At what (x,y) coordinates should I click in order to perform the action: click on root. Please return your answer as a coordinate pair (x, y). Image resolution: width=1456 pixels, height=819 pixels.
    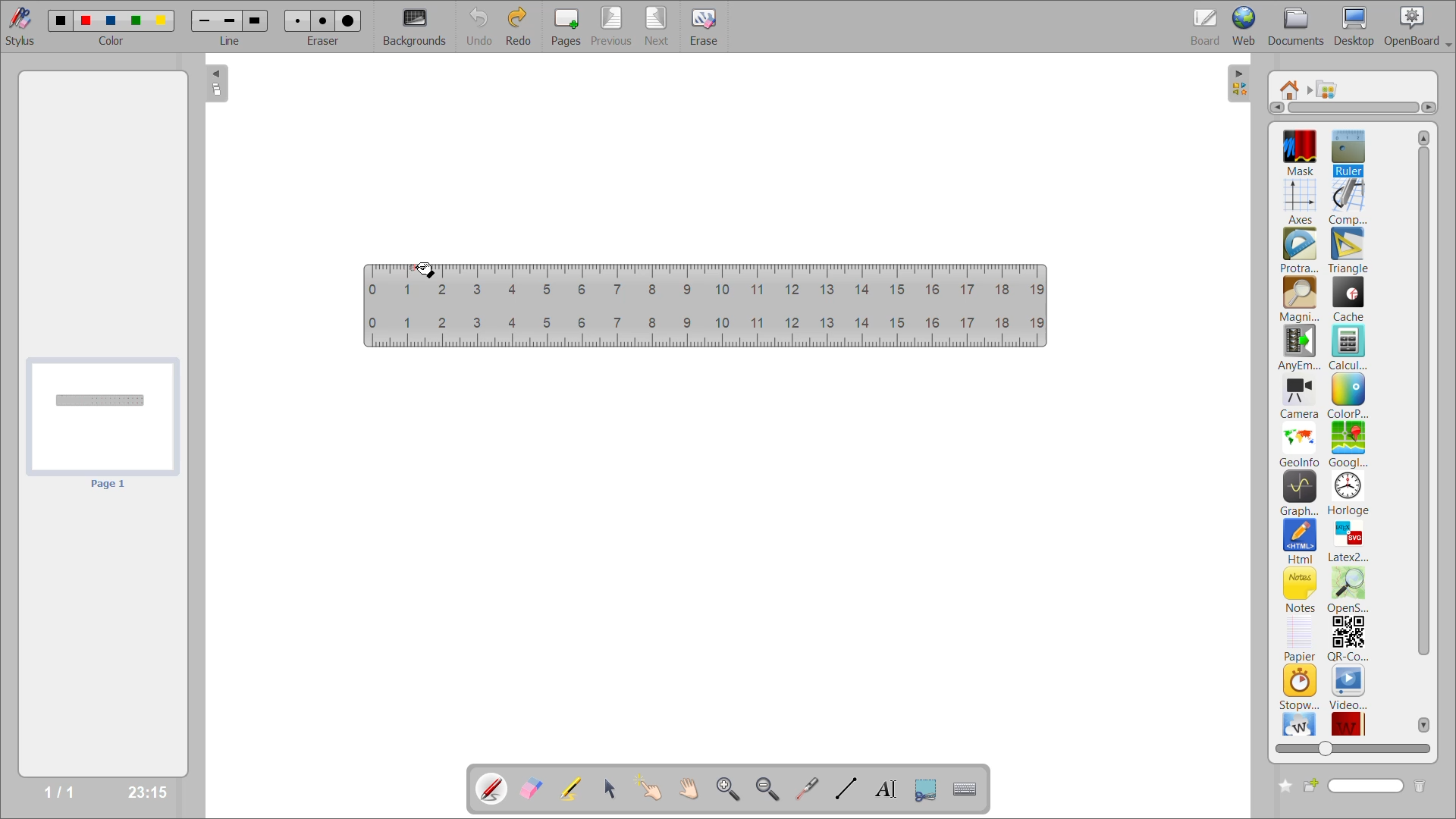
    Looking at the image, I should click on (1291, 89).